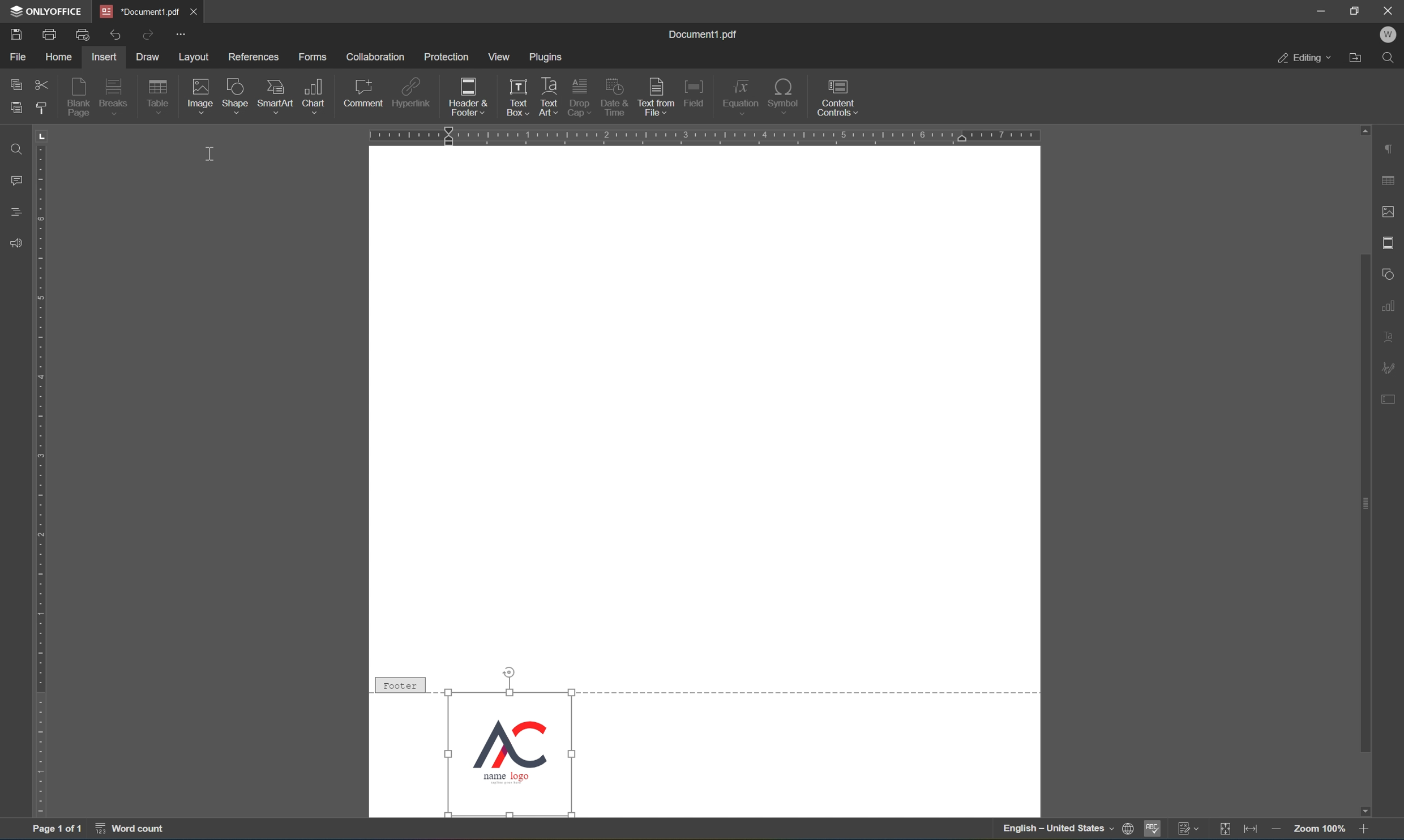 The image size is (1404, 840). What do you see at coordinates (15, 110) in the screenshot?
I see `paste` at bounding box center [15, 110].